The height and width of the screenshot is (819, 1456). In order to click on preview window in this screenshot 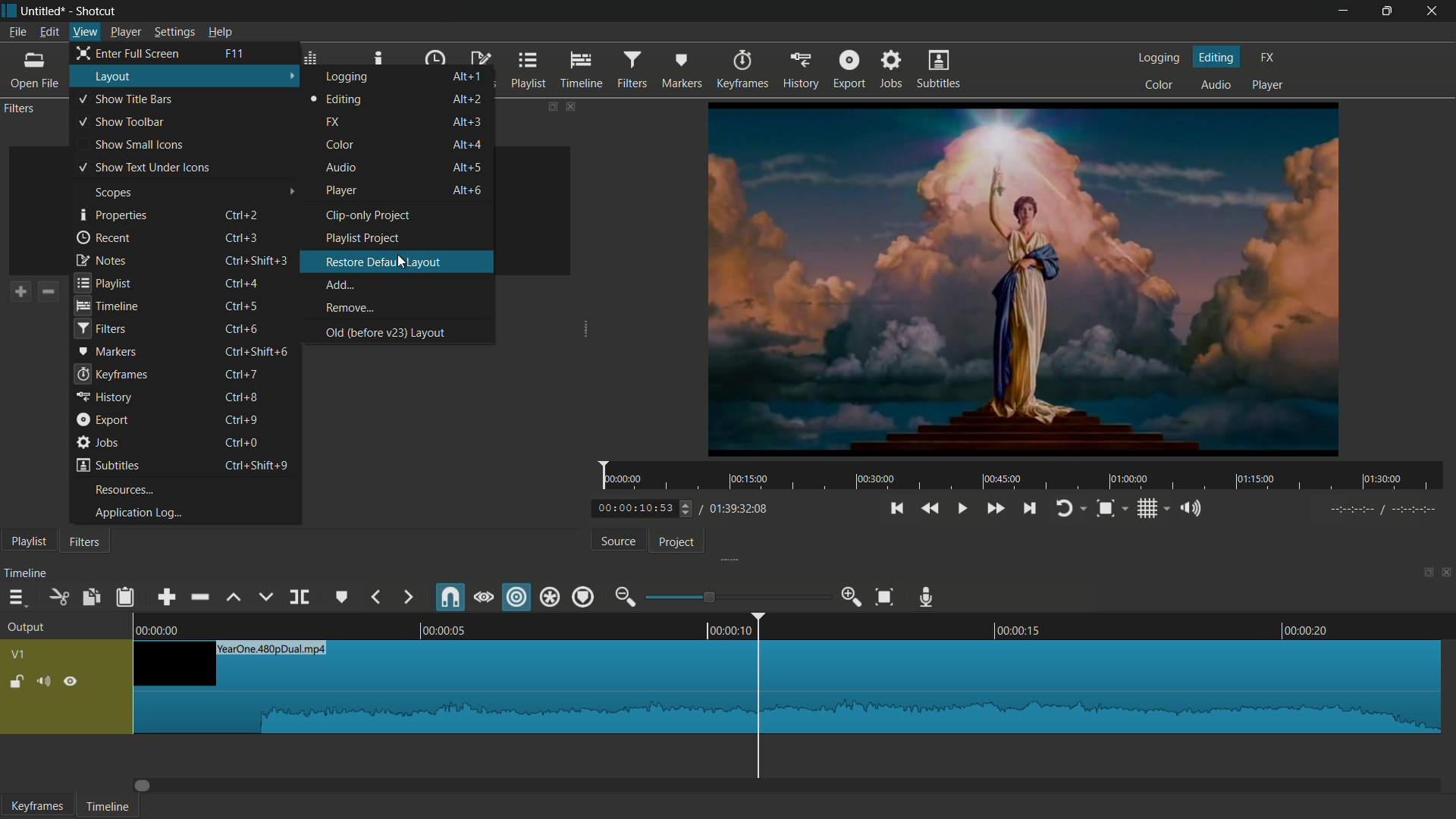, I will do `click(1023, 278)`.